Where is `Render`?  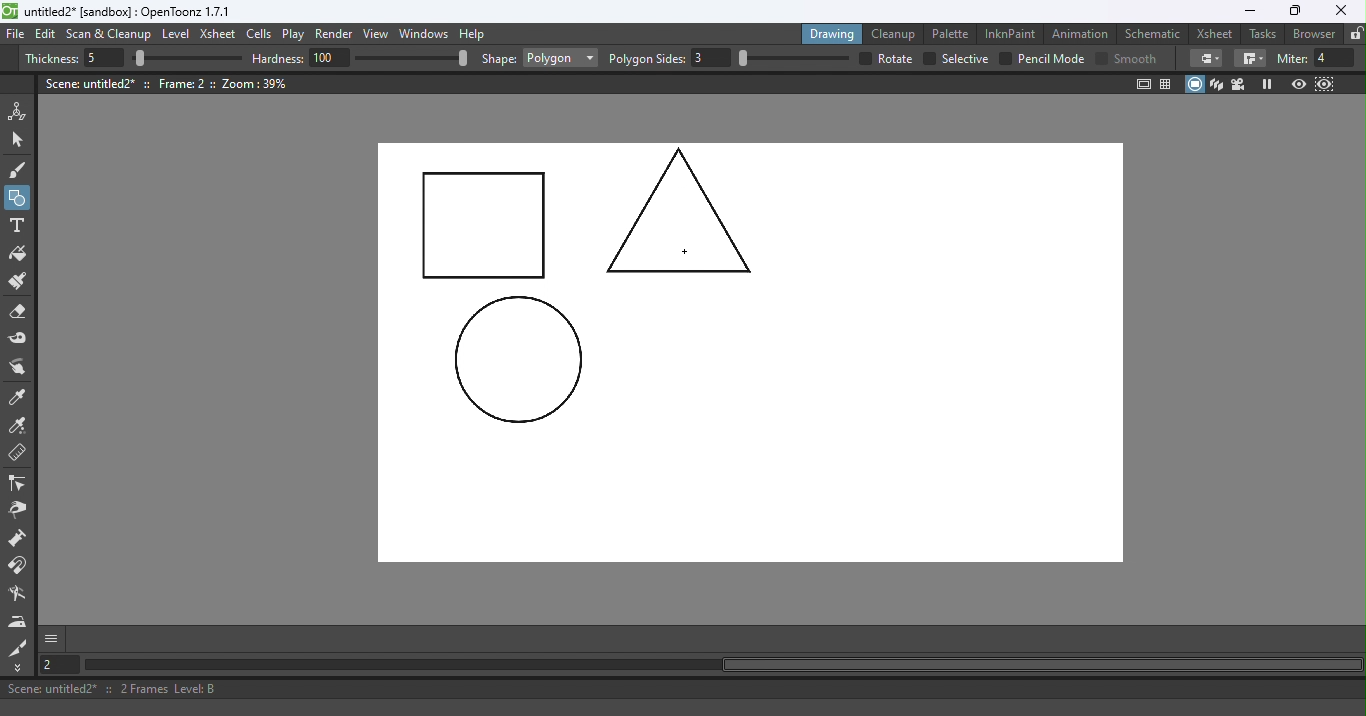
Render is located at coordinates (337, 35).